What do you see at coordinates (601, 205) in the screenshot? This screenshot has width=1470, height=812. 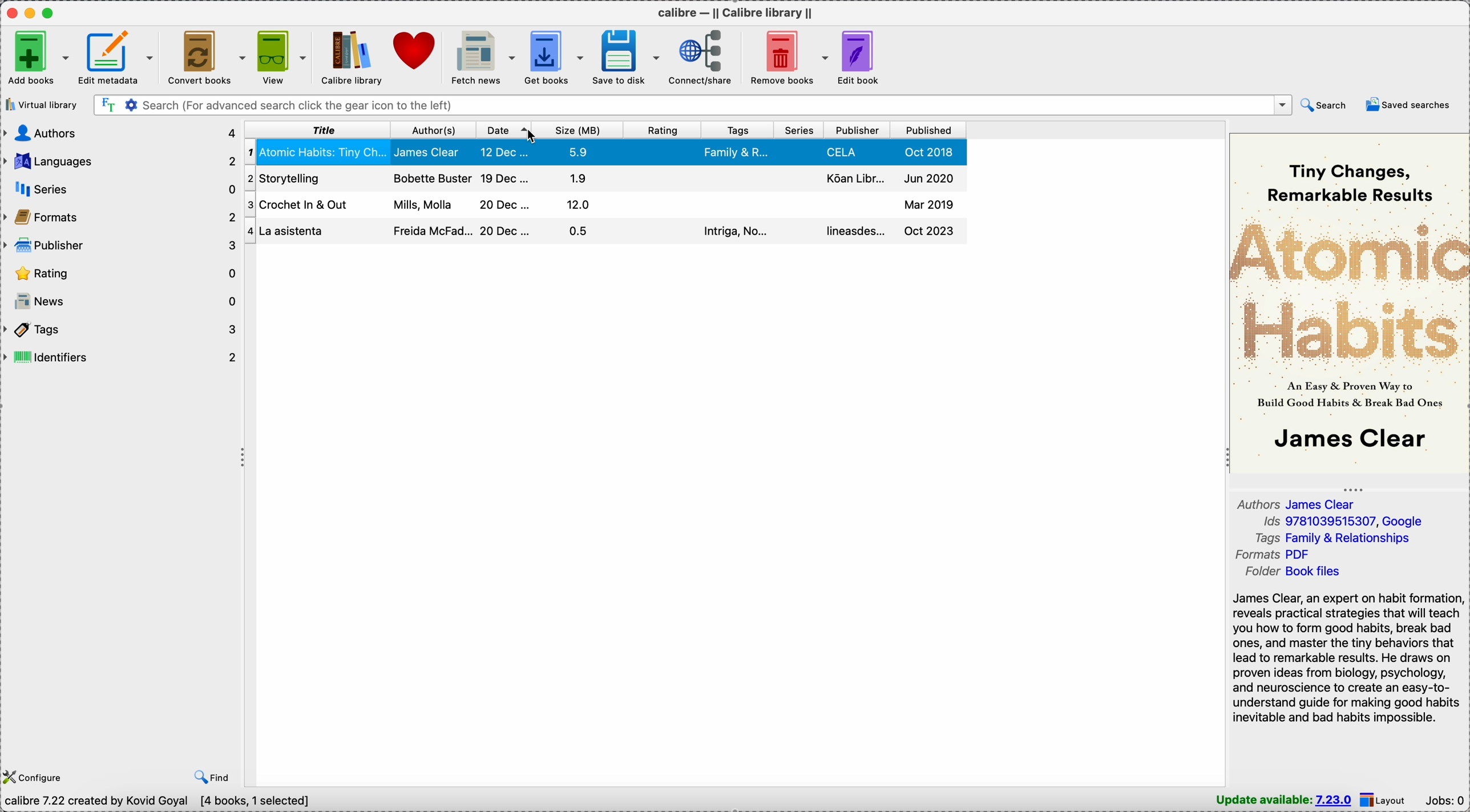 I see `La Asistentaa book details` at bounding box center [601, 205].